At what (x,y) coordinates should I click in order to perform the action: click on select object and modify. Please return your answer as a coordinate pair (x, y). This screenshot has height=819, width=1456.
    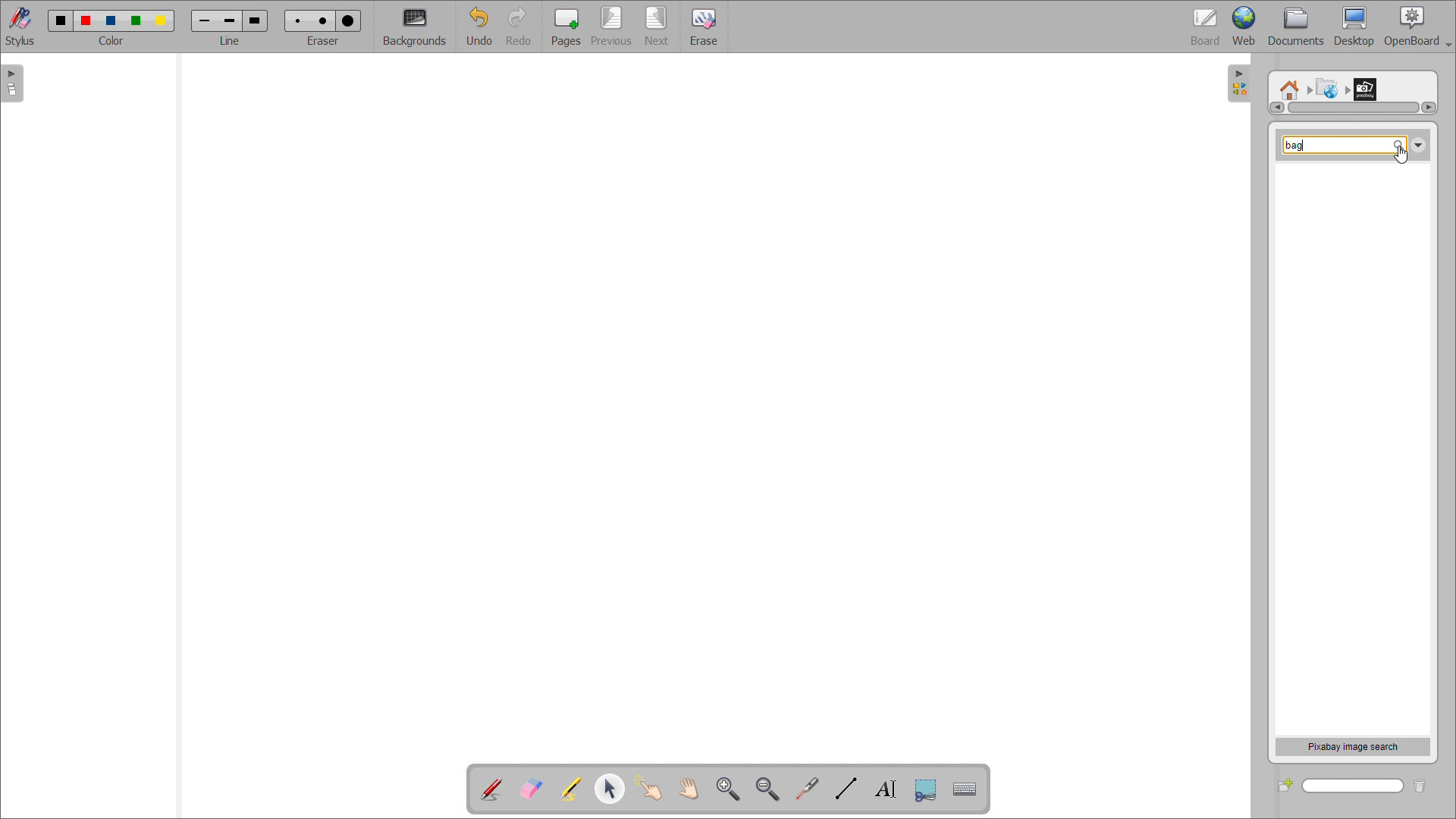
    Looking at the image, I should click on (610, 788).